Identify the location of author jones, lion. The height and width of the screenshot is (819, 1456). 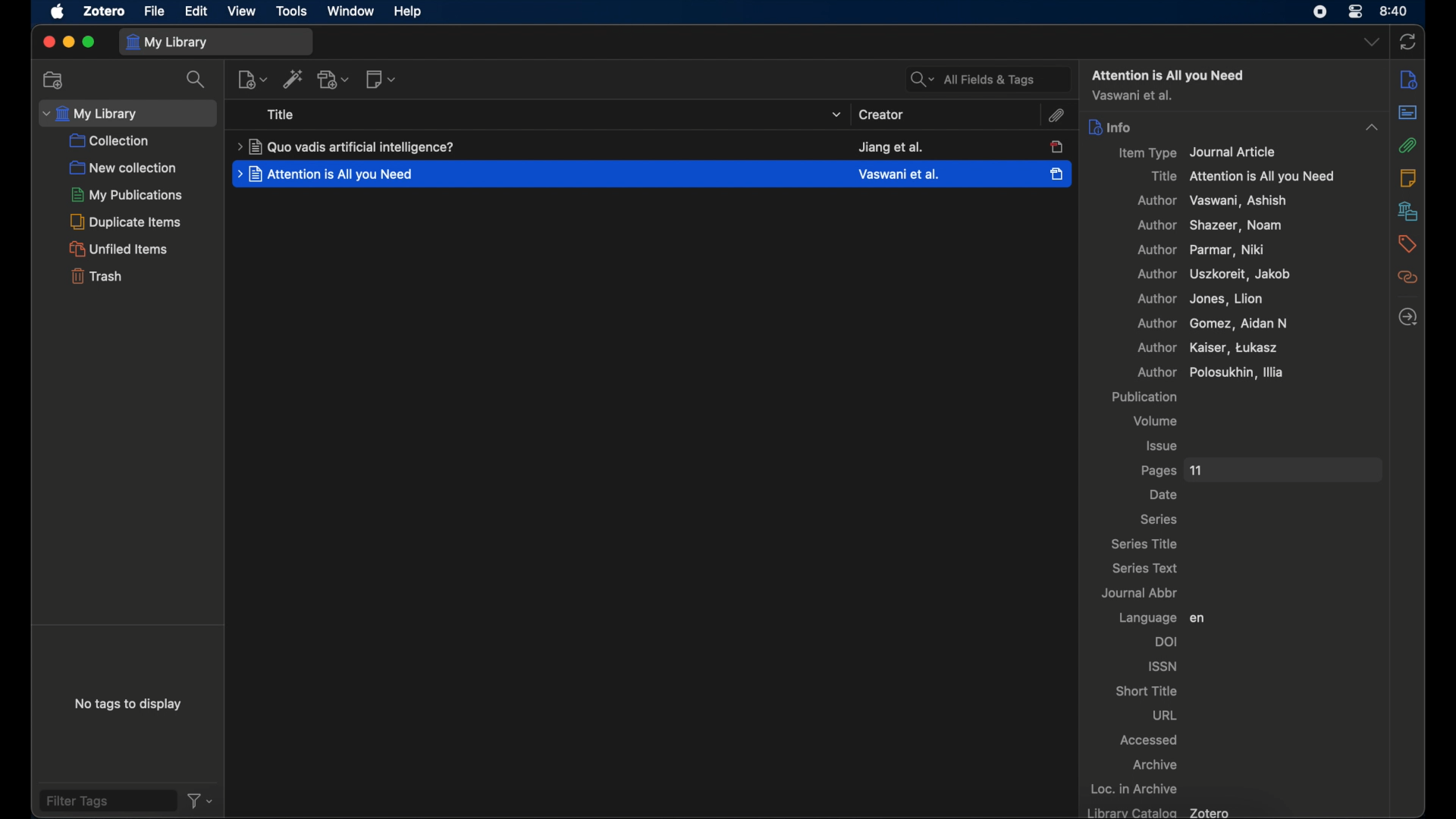
(1202, 300).